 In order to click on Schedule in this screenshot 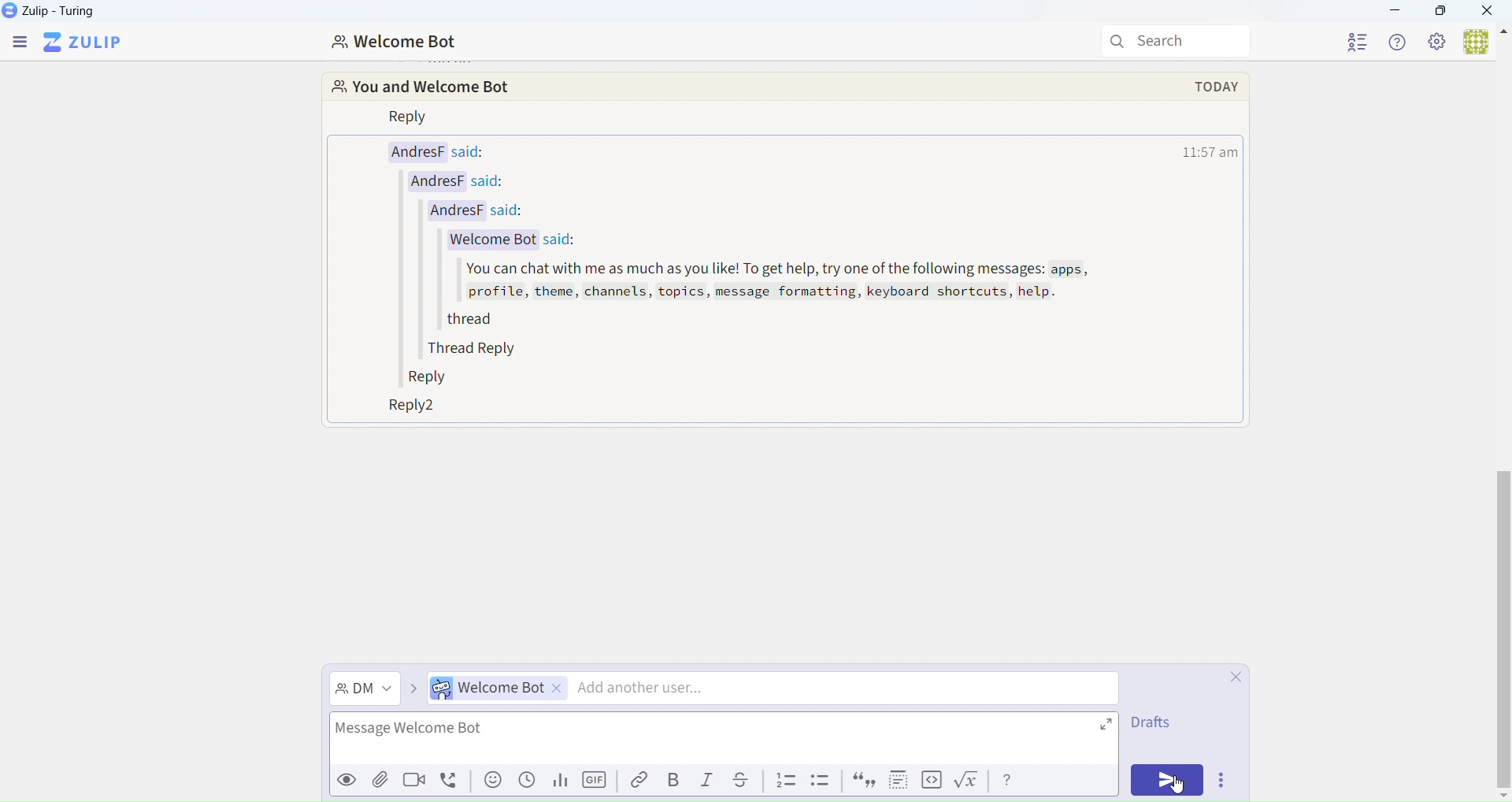, I will do `click(526, 782)`.